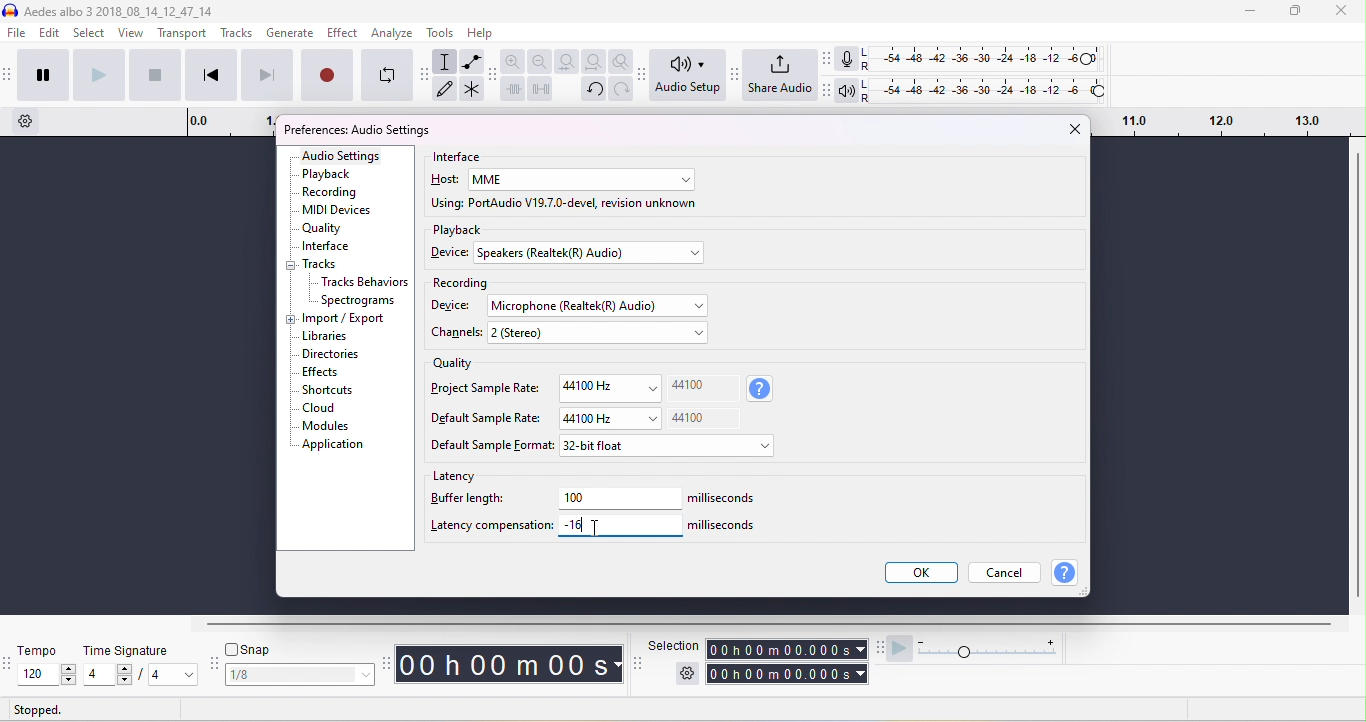 The width and height of the screenshot is (1366, 722). What do you see at coordinates (459, 333) in the screenshot?
I see `chanels` at bounding box center [459, 333].